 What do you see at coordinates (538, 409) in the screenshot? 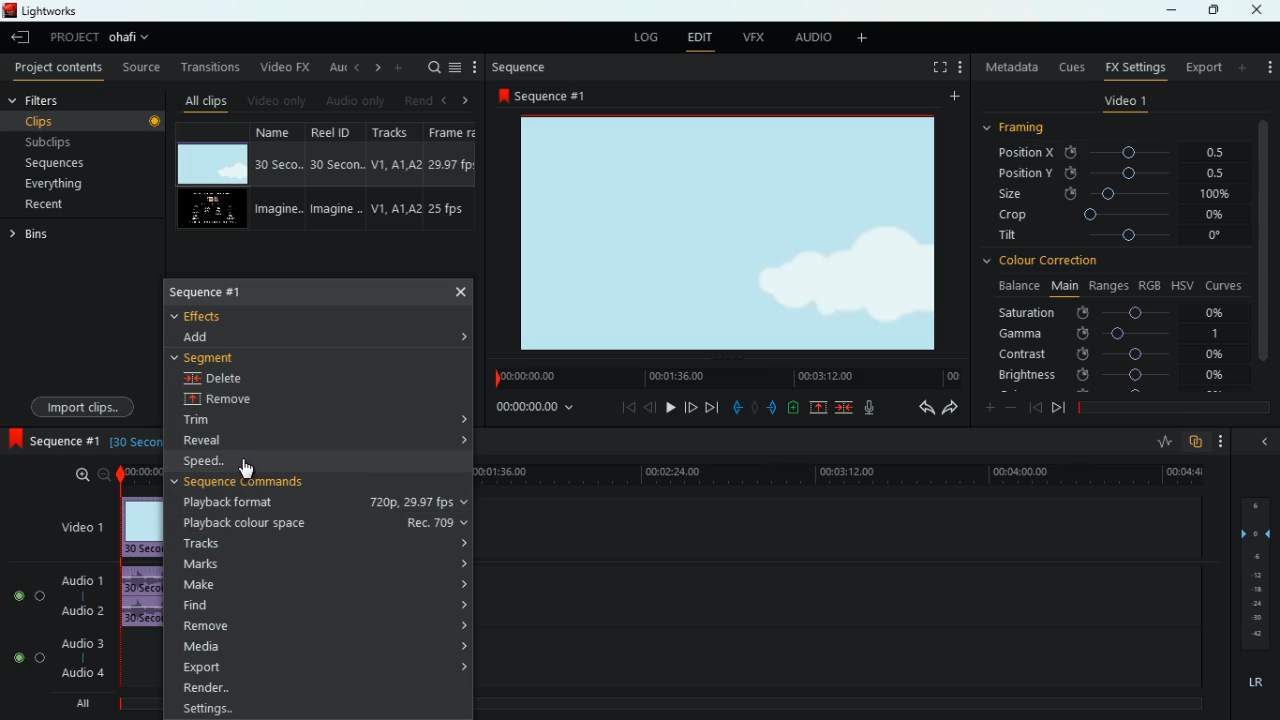
I see `time` at bounding box center [538, 409].